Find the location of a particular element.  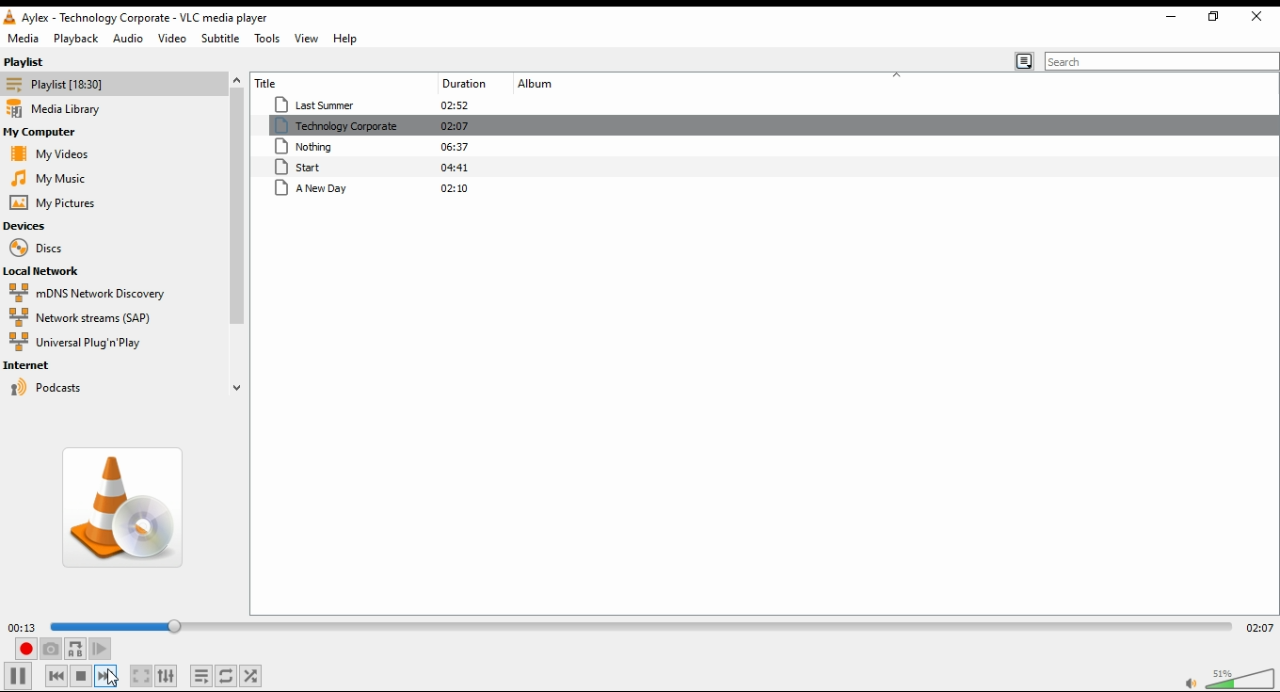

elapsed time is located at coordinates (22, 628).